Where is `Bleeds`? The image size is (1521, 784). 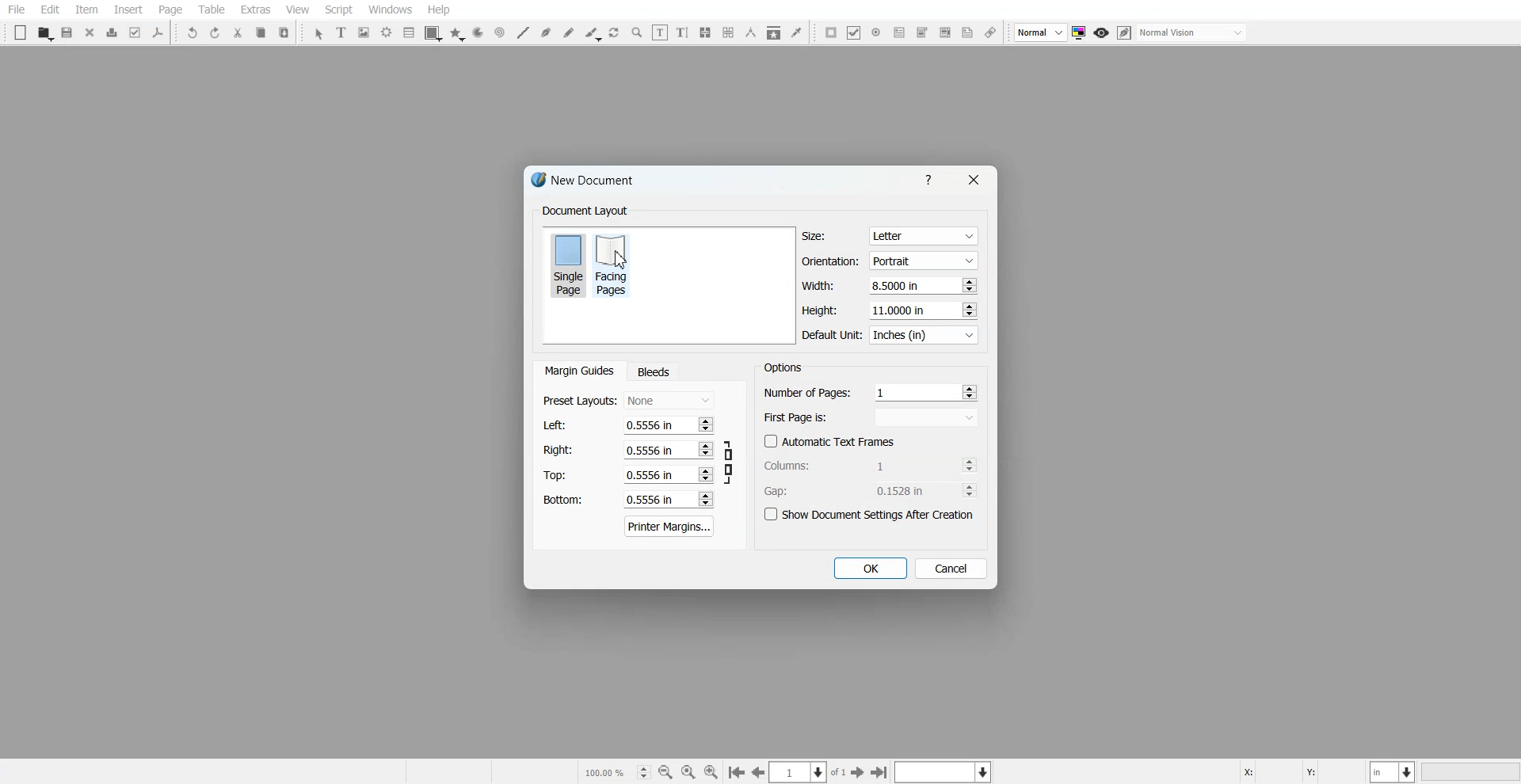
Bleeds is located at coordinates (653, 371).